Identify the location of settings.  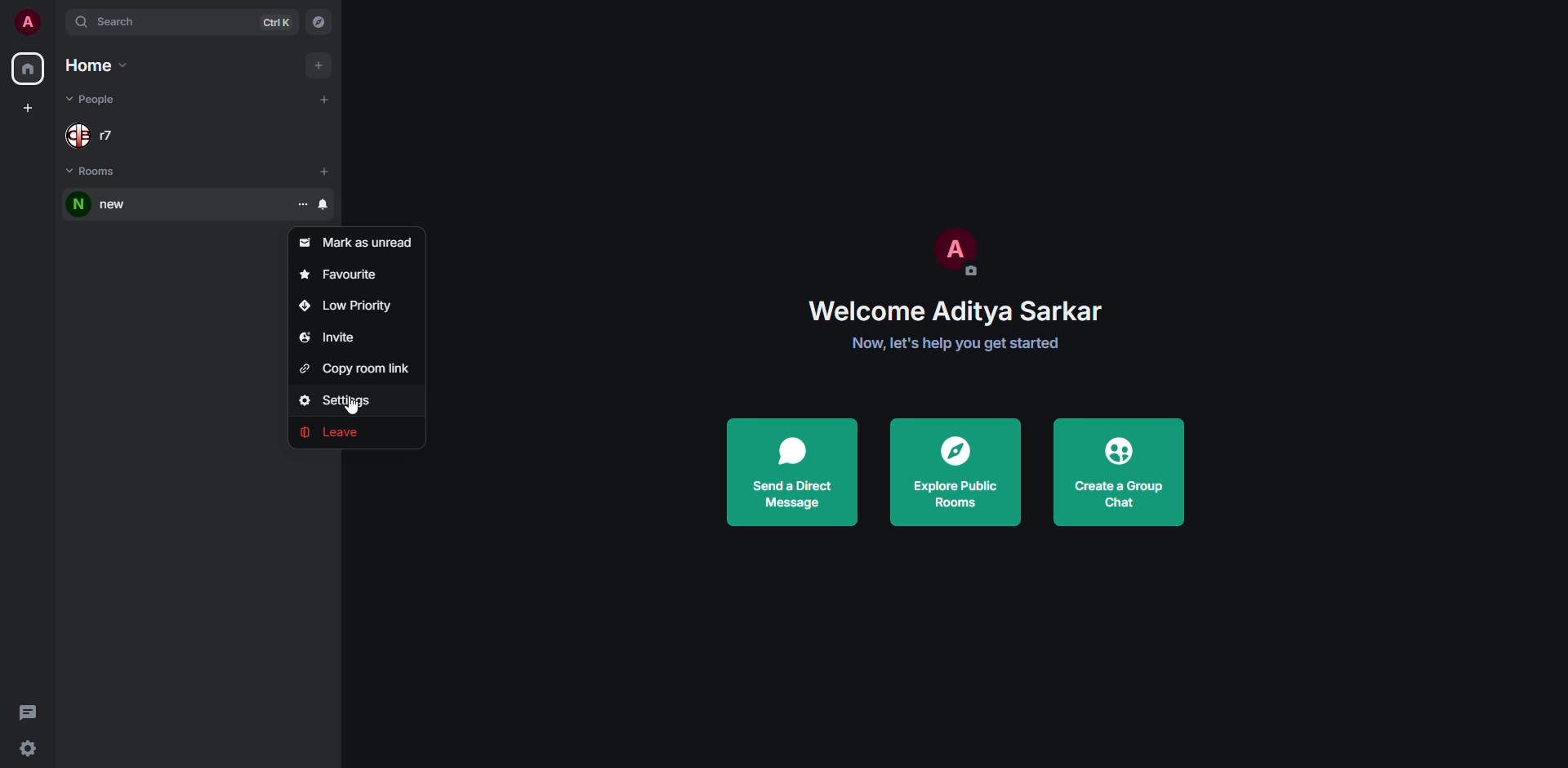
(341, 400).